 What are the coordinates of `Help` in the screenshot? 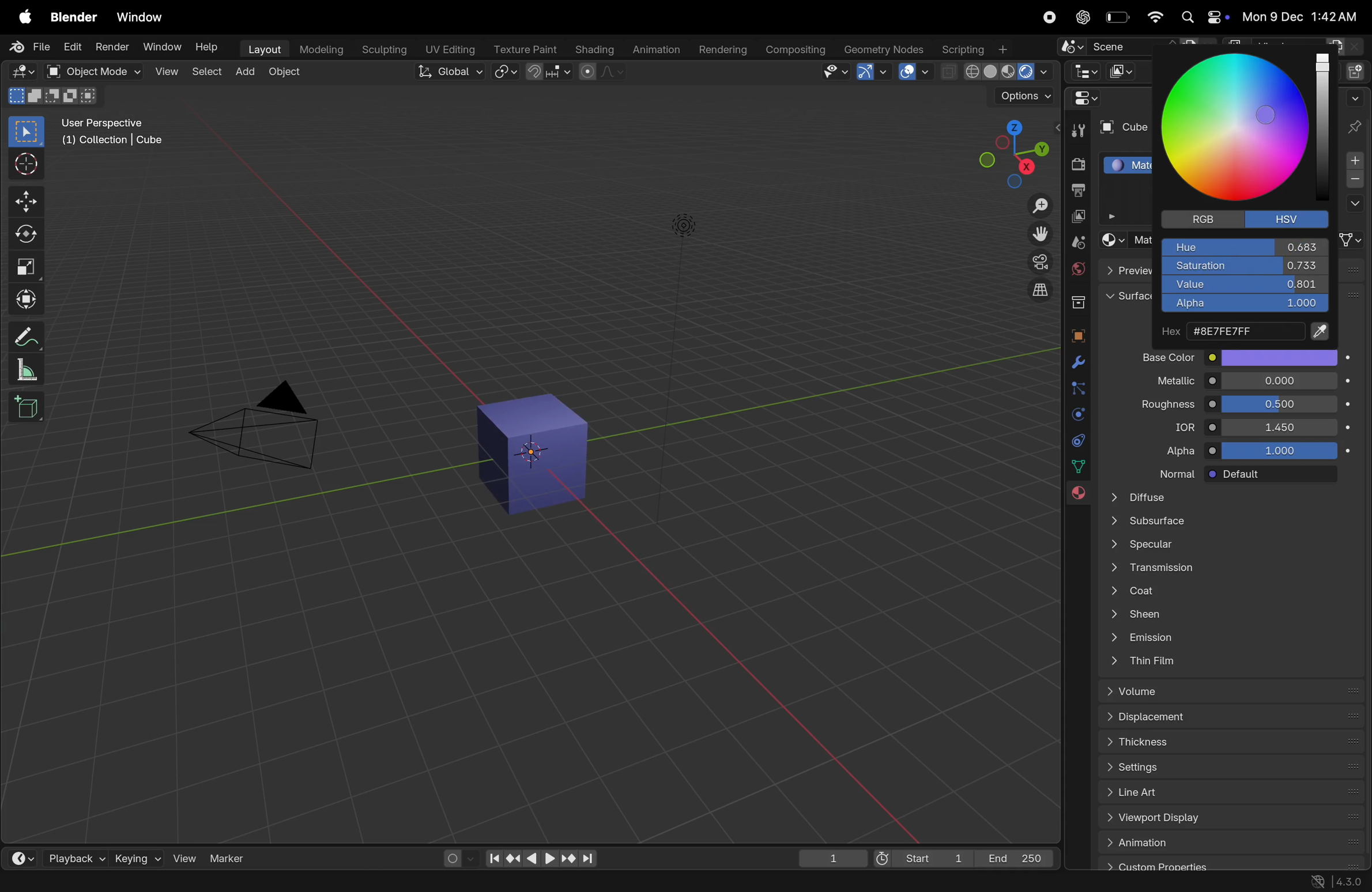 It's located at (208, 46).